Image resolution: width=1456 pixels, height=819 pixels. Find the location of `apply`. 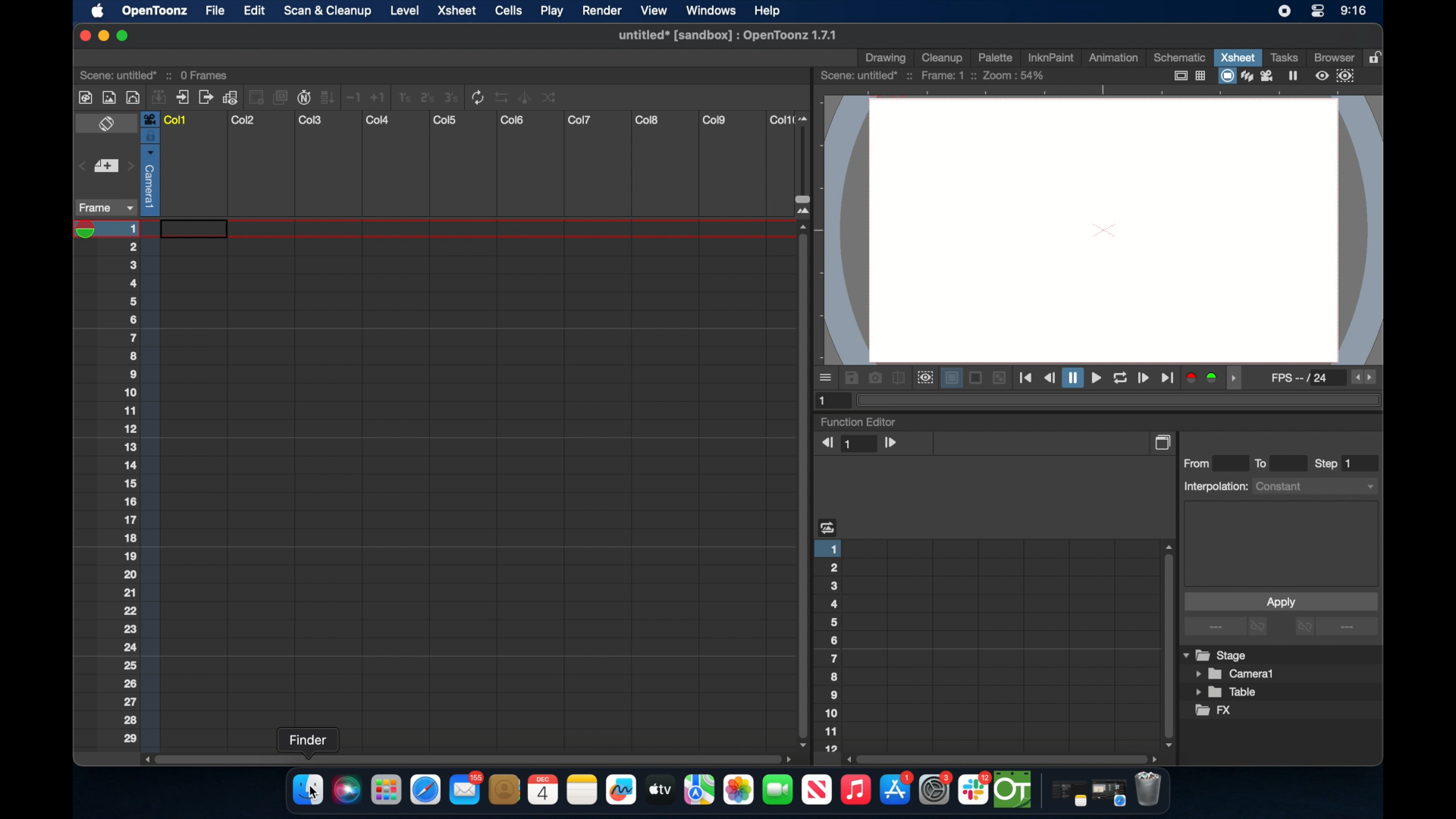

apply is located at coordinates (1280, 601).